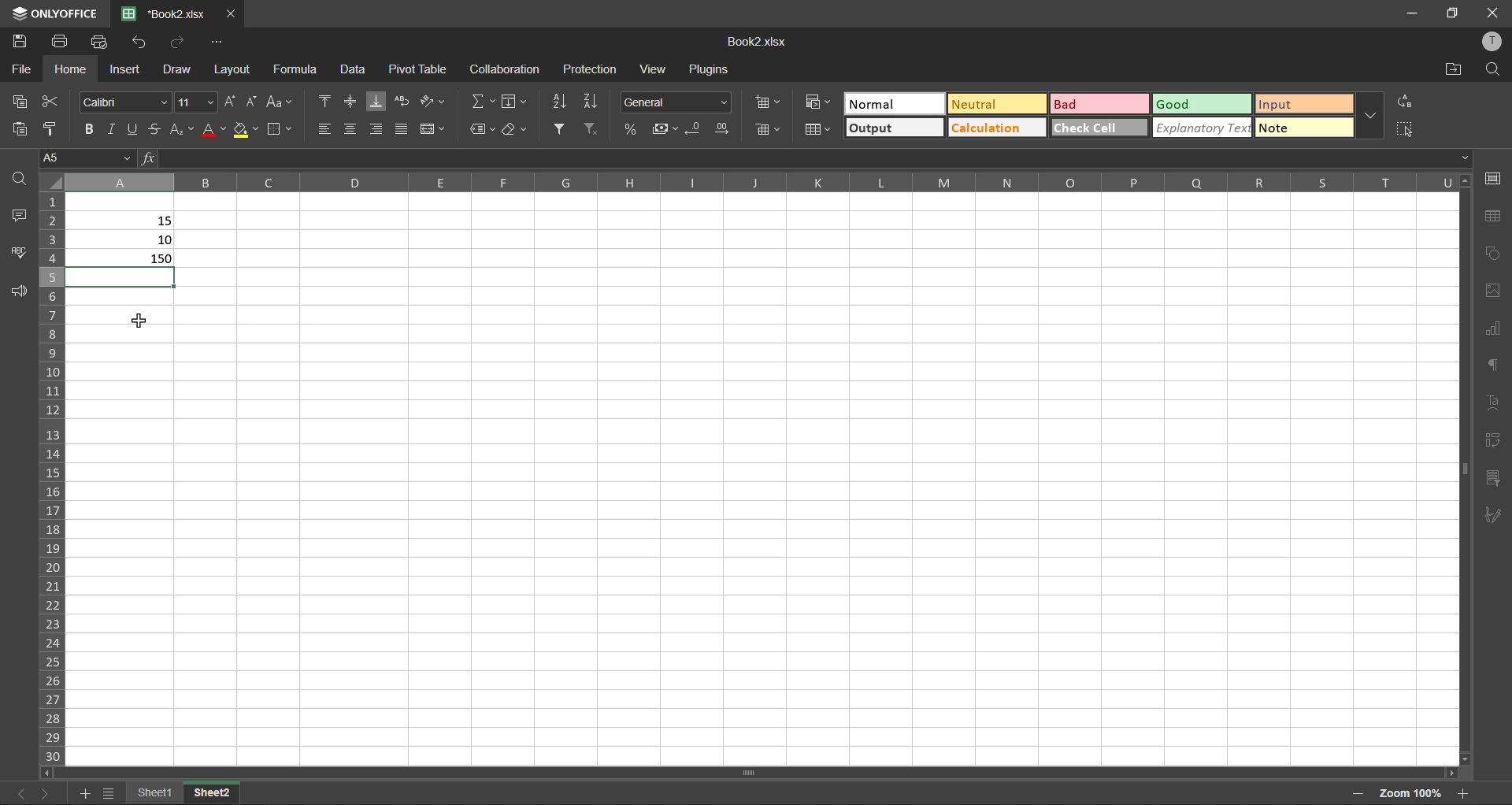  What do you see at coordinates (593, 69) in the screenshot?
I see `protection` at bounding box center [593, 69].